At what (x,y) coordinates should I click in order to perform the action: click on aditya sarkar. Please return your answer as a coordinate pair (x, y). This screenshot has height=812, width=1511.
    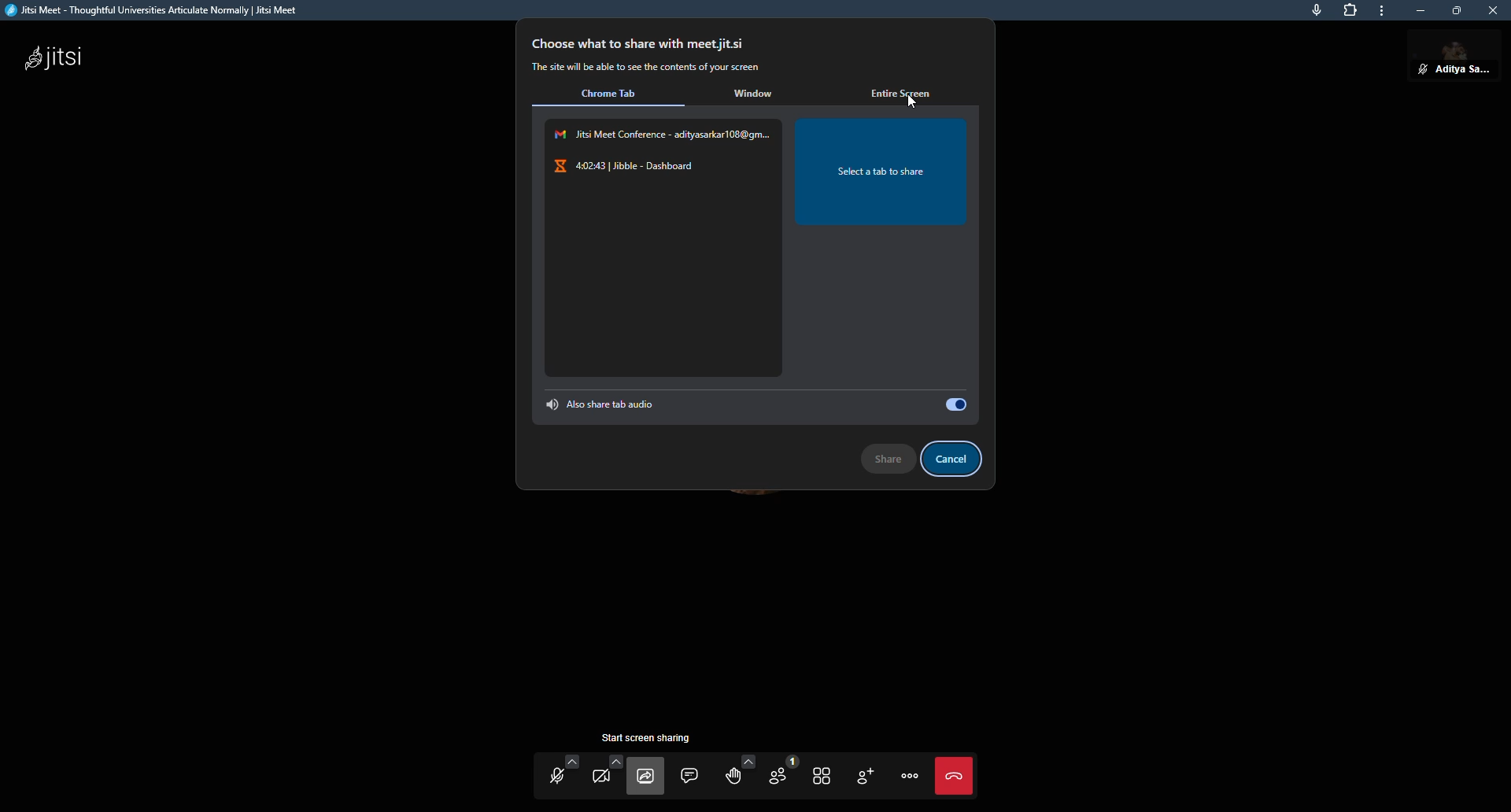
    Looking at the image, I should click on (1445, 61).